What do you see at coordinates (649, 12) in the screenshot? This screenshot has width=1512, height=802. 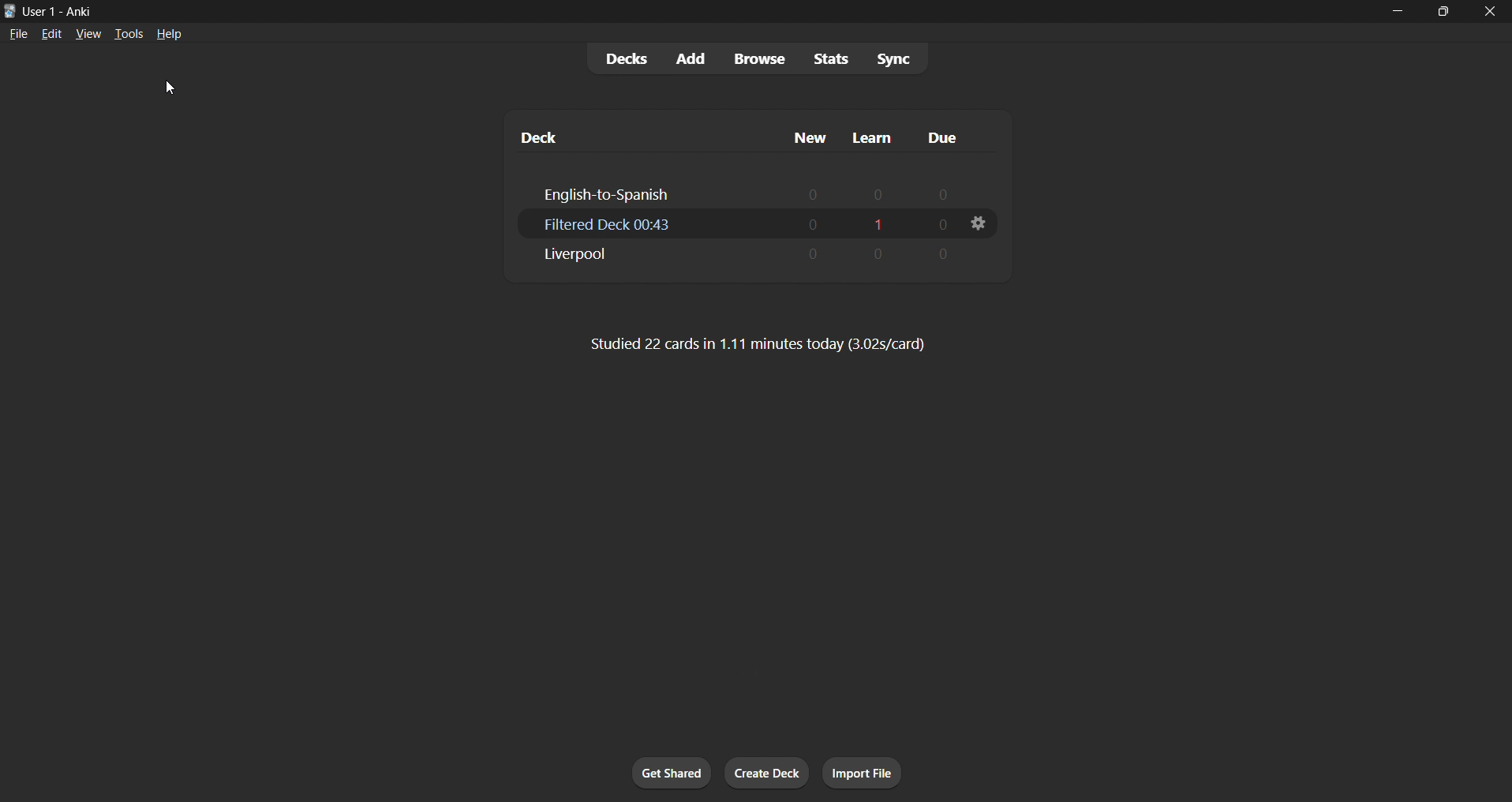 I see `title bar` at bounding box center [649, 12].